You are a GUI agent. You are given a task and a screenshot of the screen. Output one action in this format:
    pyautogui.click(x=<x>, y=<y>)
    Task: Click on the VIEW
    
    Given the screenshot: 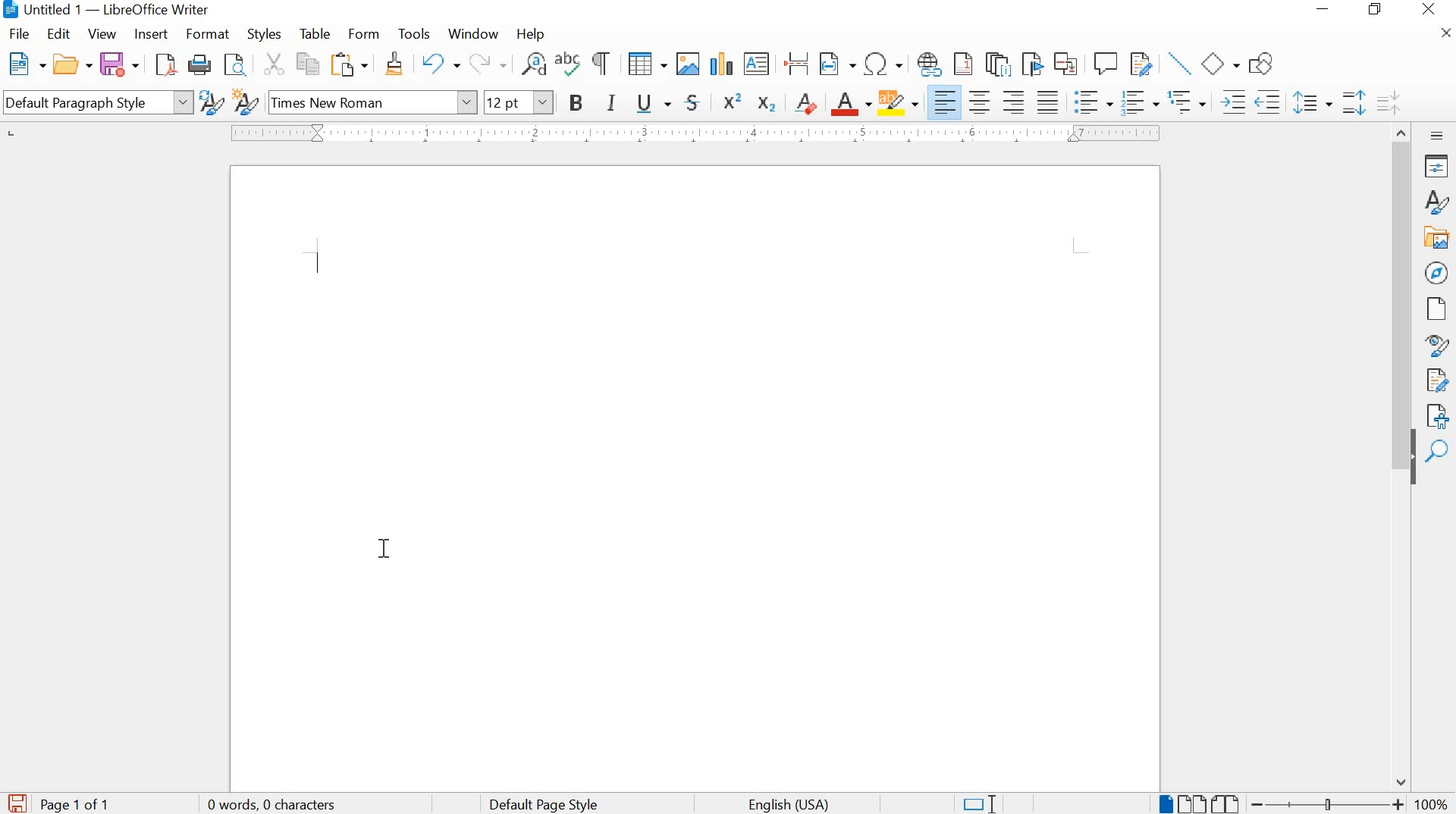 What is the action you would take?
    pyautogui.click(x=103, y=35)
    